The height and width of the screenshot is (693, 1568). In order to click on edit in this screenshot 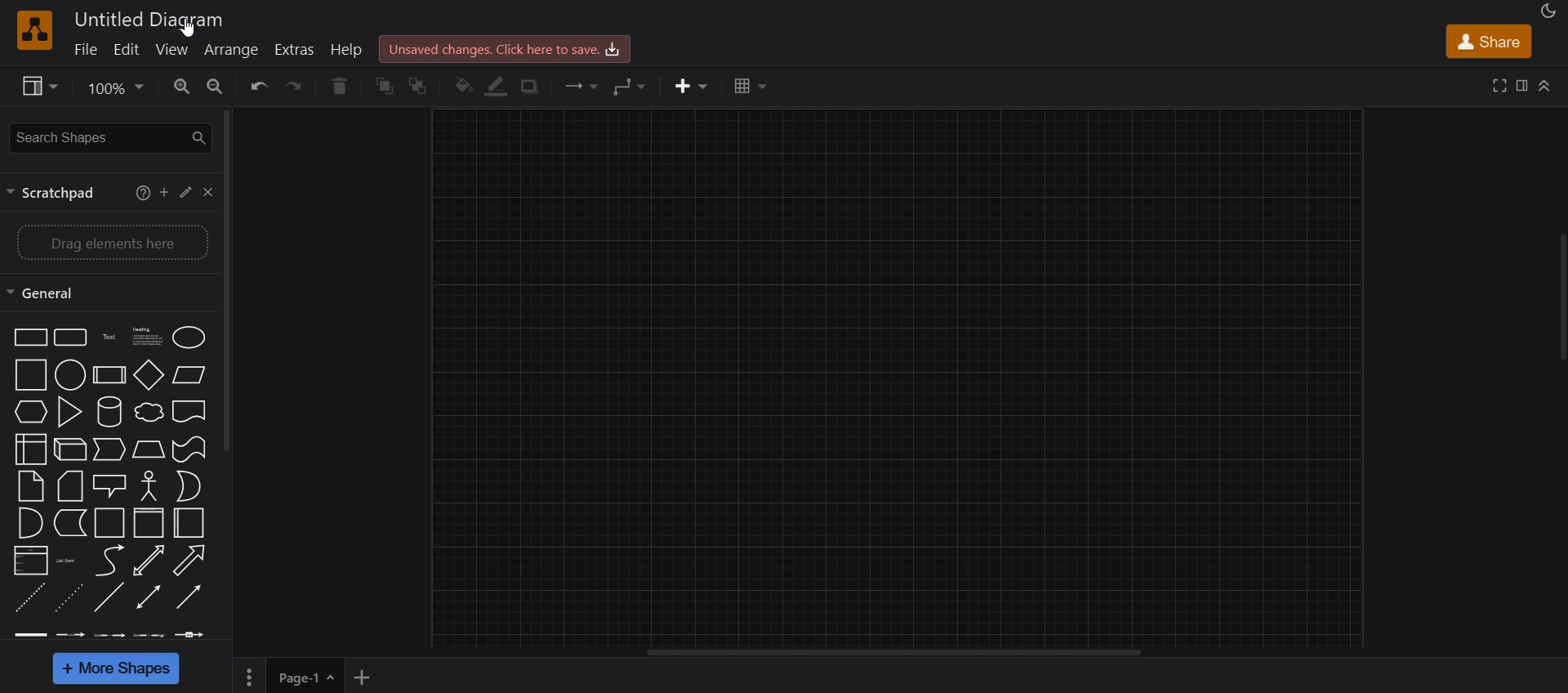, I will do `click(185, 191)`.